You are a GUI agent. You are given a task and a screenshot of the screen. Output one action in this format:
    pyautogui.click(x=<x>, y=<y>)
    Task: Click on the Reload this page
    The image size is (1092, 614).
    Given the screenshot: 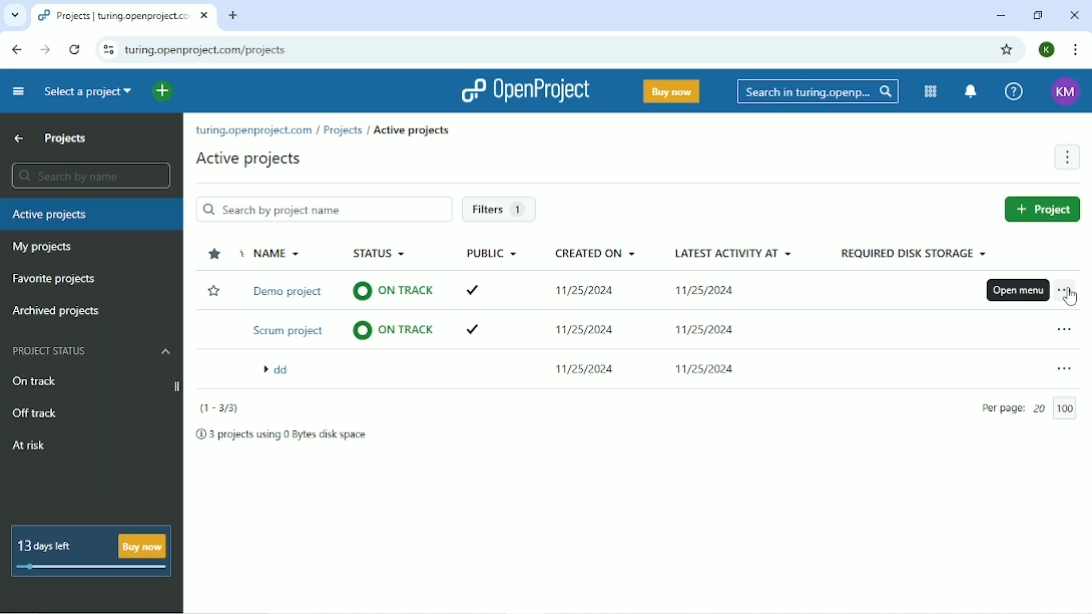 What is the action you would take?
    pyautogui.click(x=74, y=49)
    